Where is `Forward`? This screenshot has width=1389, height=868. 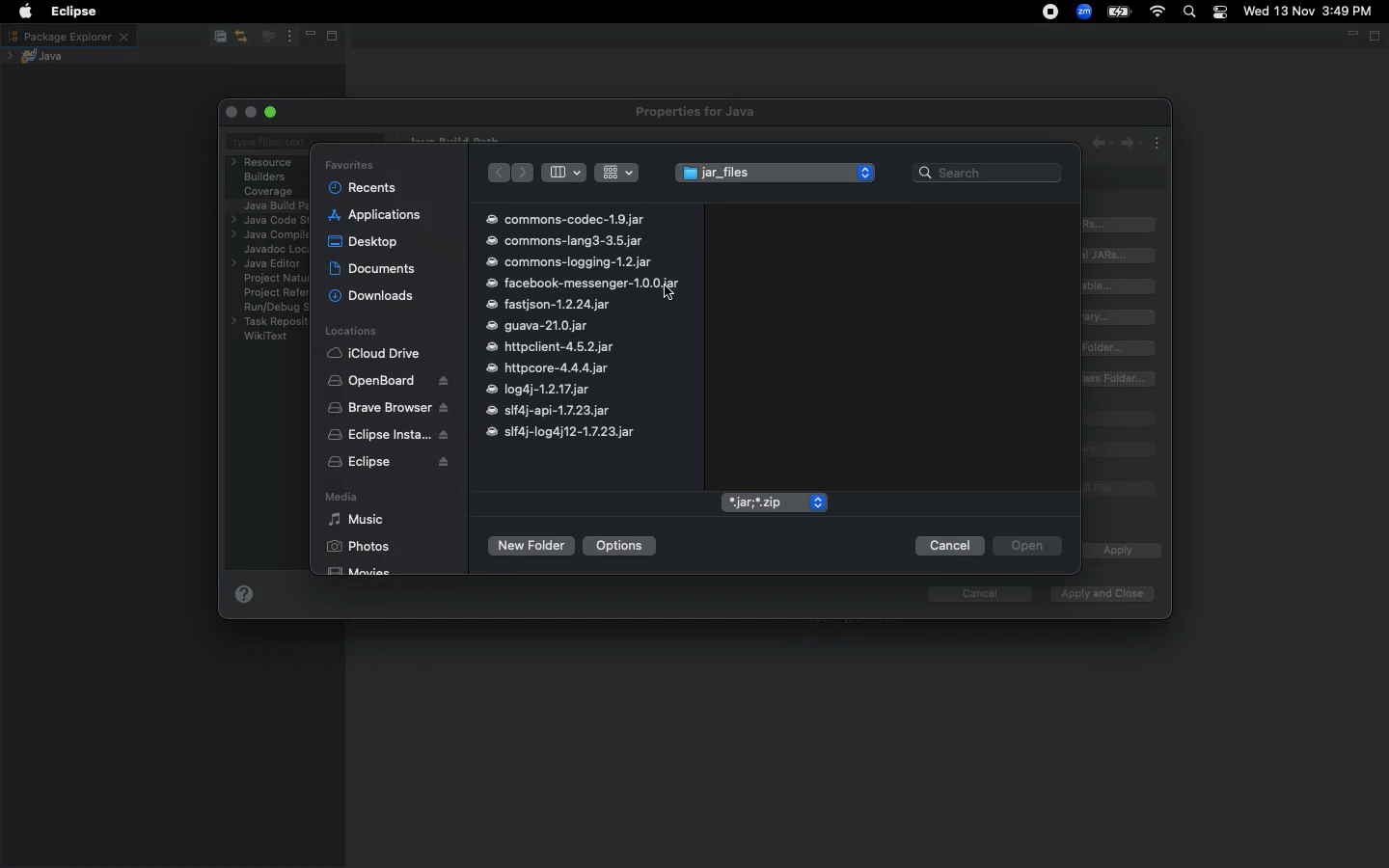 Forward is located at coordinates (525, 173).